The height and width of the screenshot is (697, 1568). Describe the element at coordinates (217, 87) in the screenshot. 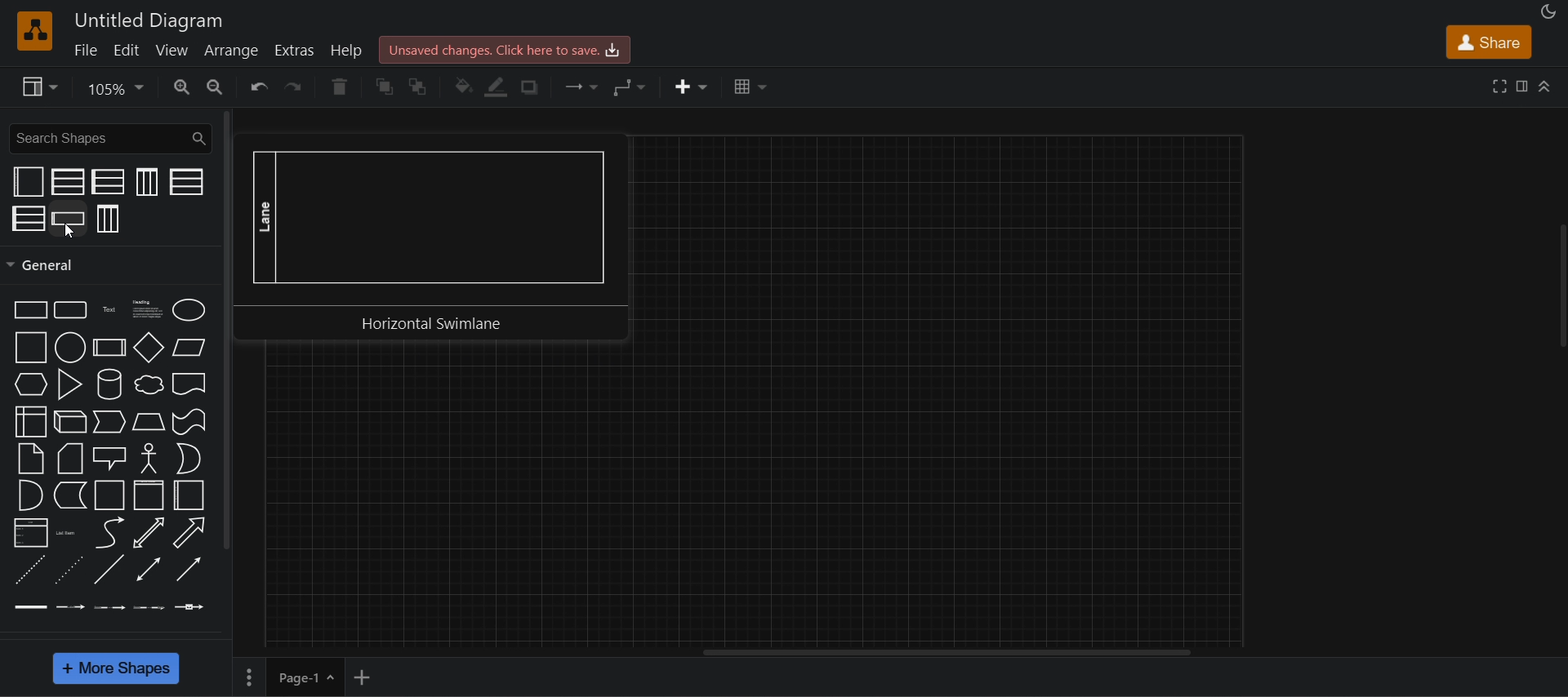

I see `zoom out` at that location.